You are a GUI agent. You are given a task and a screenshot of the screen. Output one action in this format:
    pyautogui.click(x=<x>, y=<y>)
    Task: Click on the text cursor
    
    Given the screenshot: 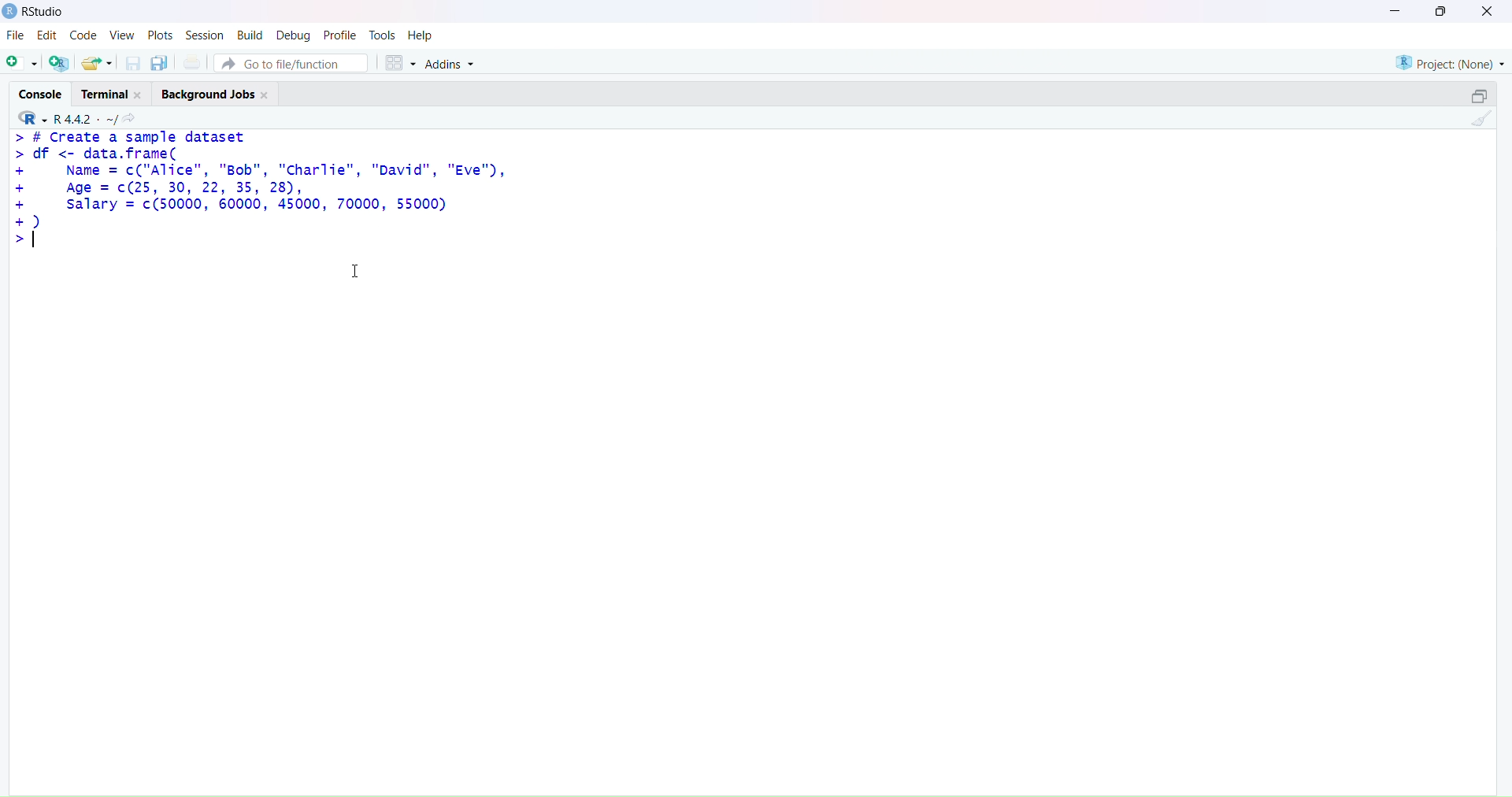 What is the action you would take?
    pyautogui.click(x=40, y=241)
    